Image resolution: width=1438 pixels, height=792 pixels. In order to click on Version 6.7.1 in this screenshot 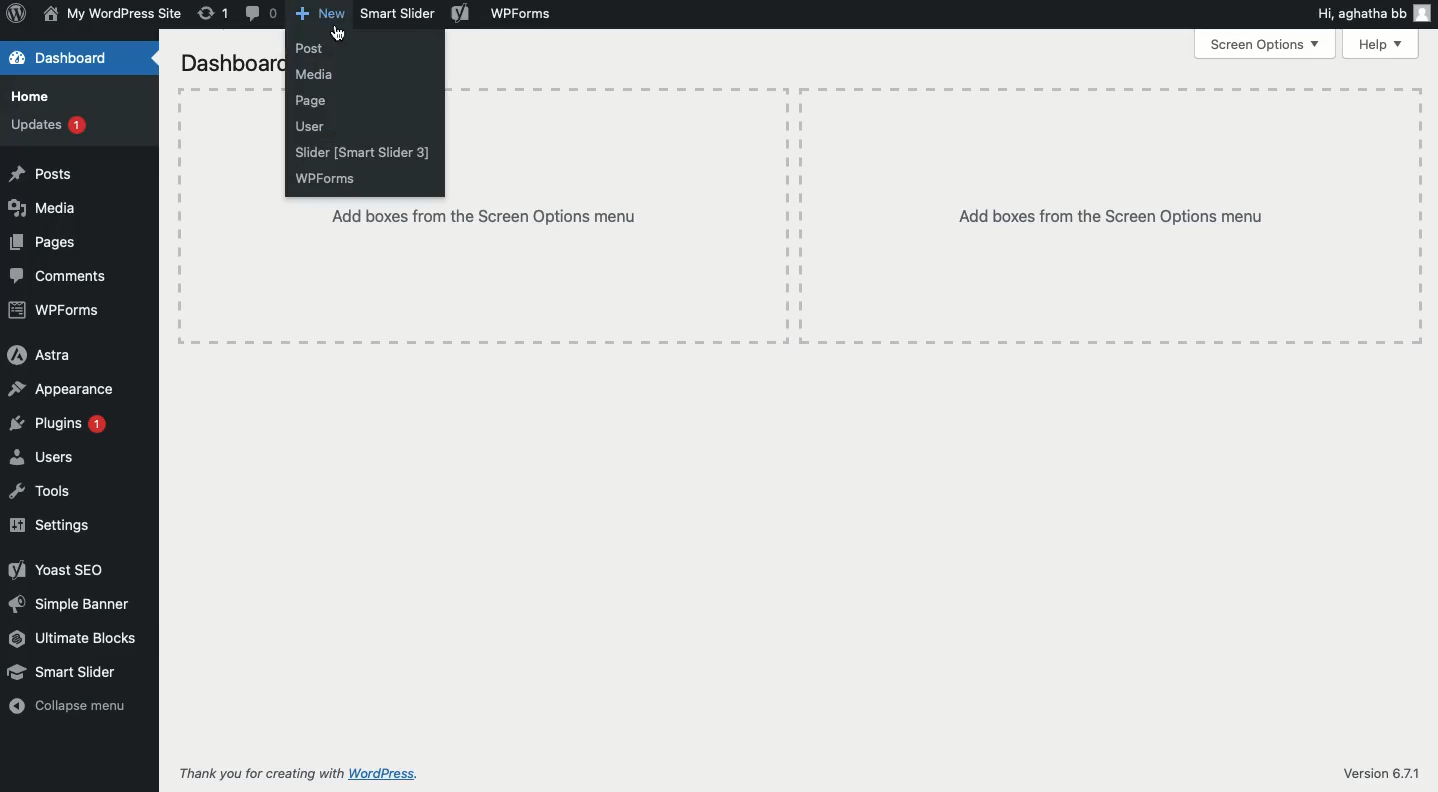, I will do `click(1381, 773)`.